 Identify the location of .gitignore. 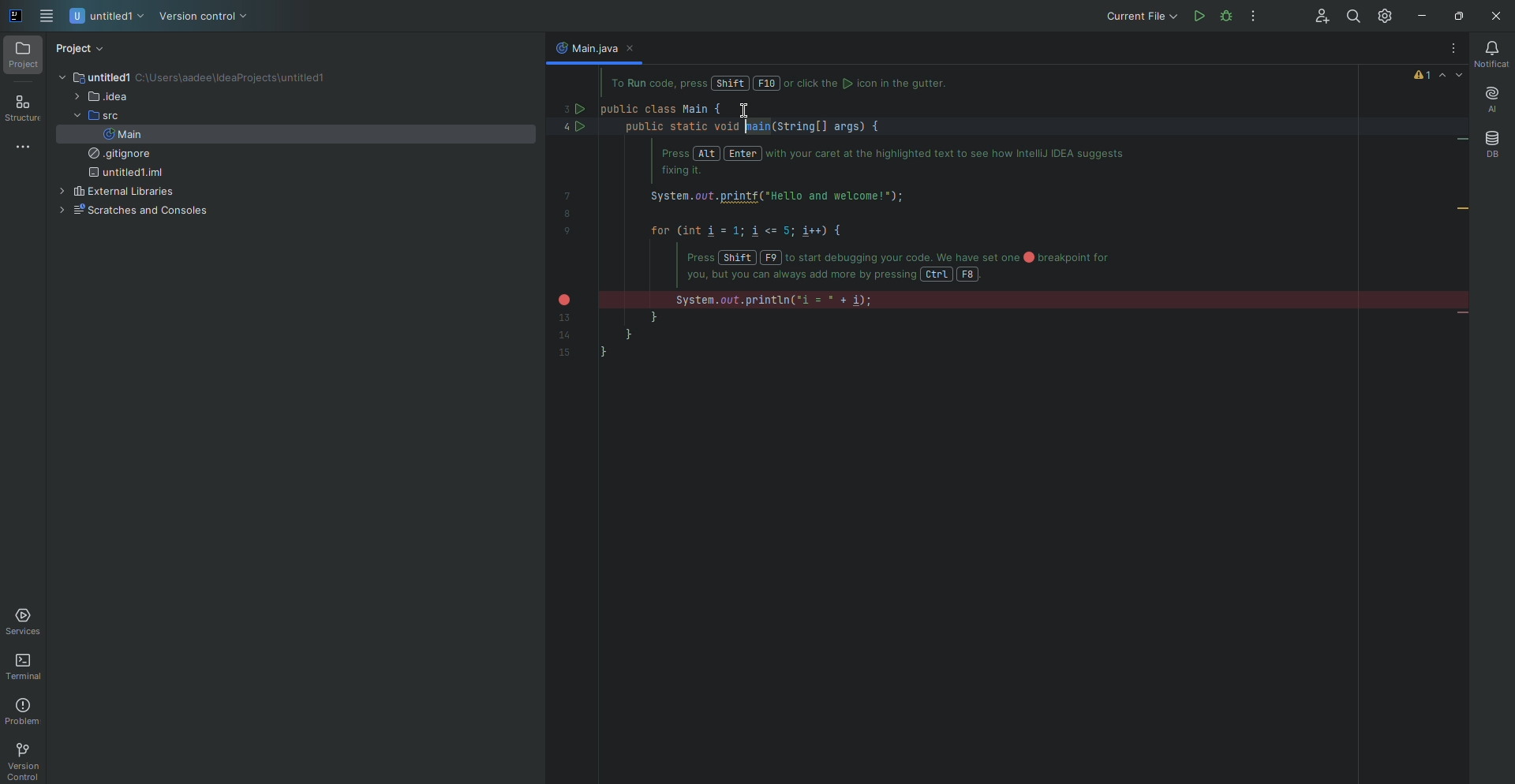
(115, 155).